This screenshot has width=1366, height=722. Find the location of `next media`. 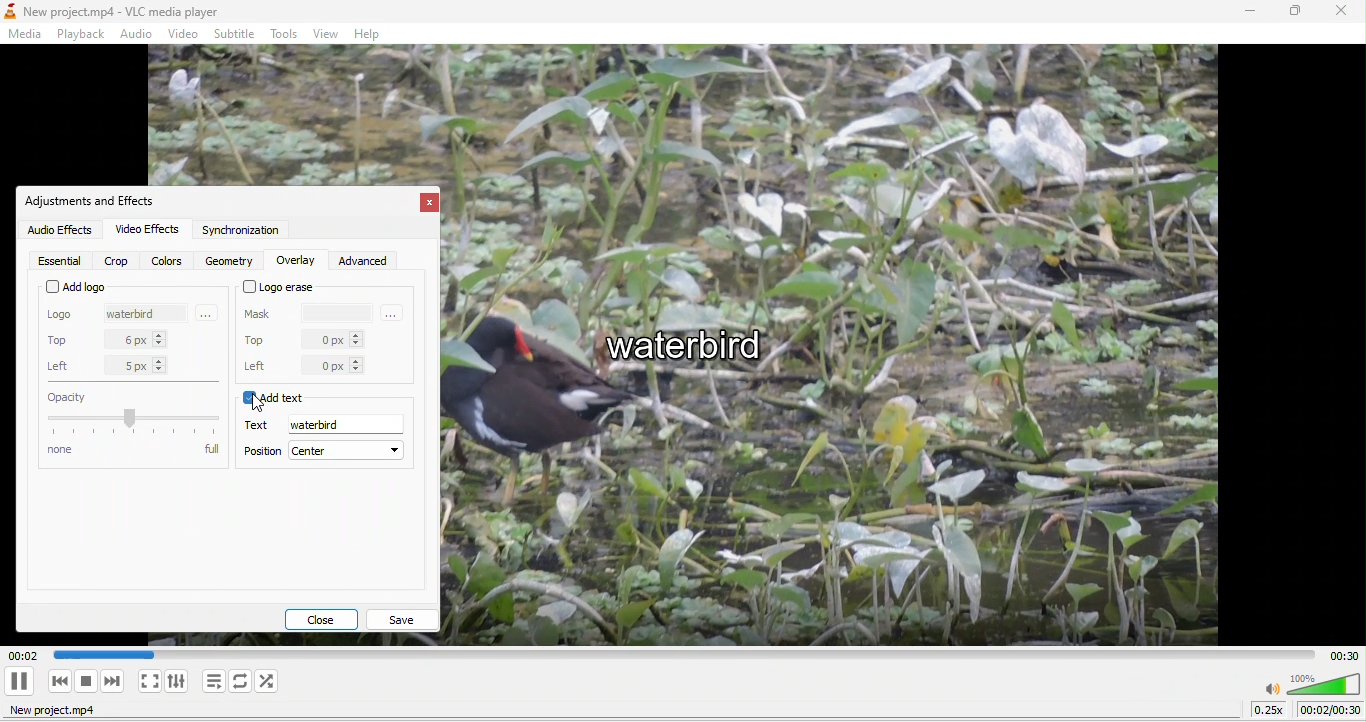

next media is located at coordinates (115, 681).